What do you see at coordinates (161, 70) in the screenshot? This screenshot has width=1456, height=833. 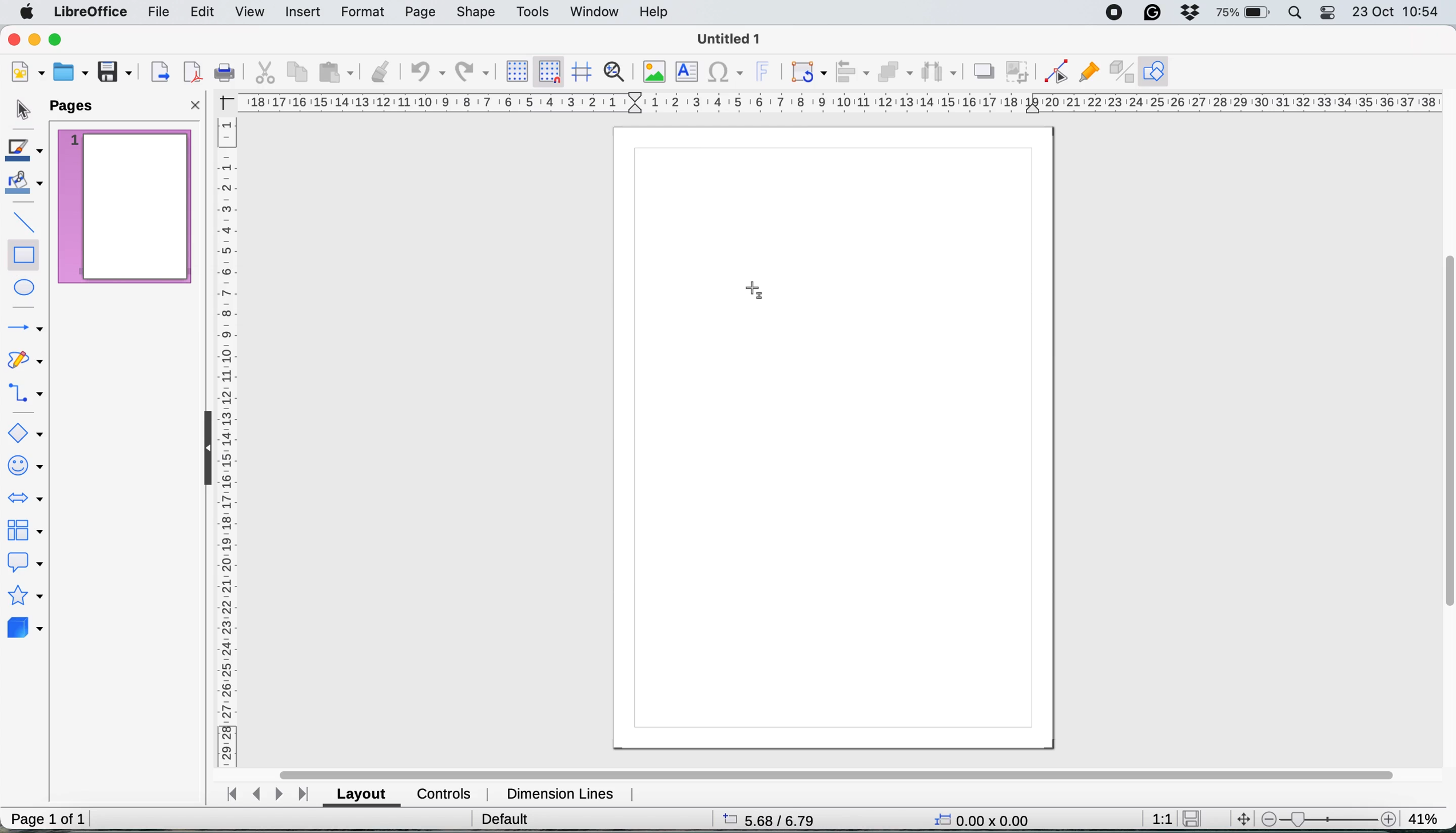 I see `export` at bounding box center [161, 70].